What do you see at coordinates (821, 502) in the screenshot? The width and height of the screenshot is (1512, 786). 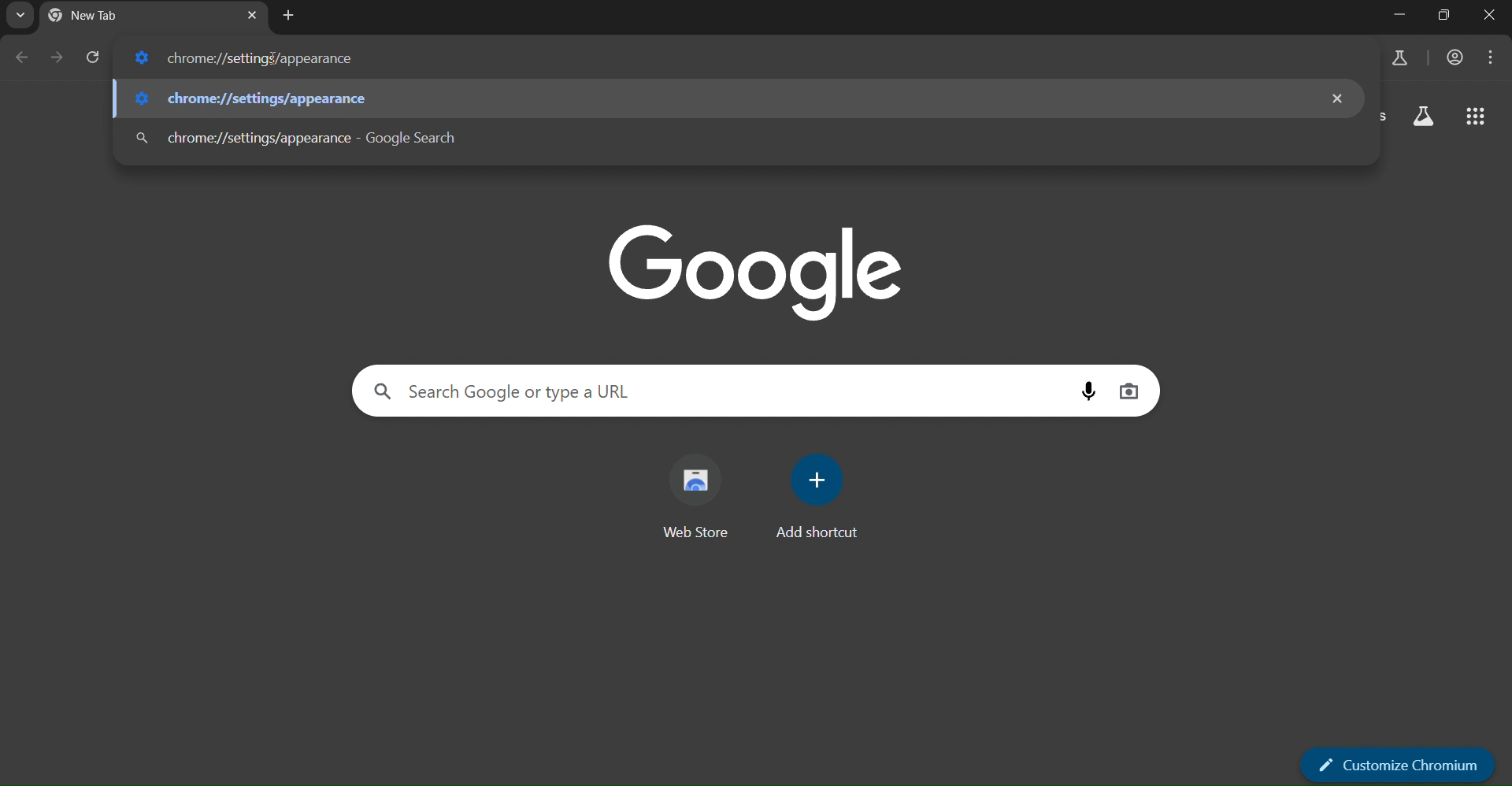 I see `add shortcut` at bounding box center [821, 502].